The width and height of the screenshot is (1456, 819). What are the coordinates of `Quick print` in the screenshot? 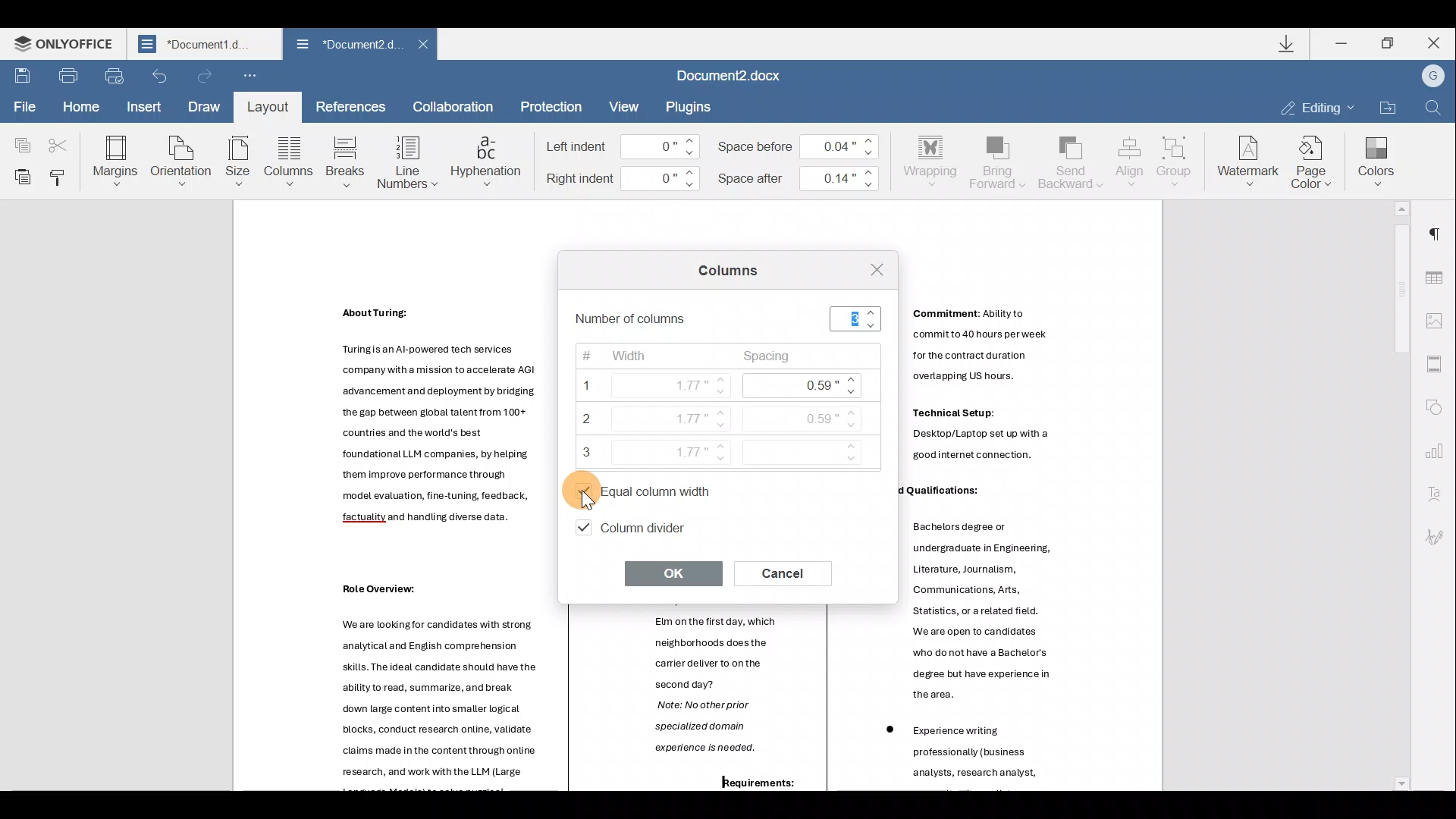 It's located at (115, 74).